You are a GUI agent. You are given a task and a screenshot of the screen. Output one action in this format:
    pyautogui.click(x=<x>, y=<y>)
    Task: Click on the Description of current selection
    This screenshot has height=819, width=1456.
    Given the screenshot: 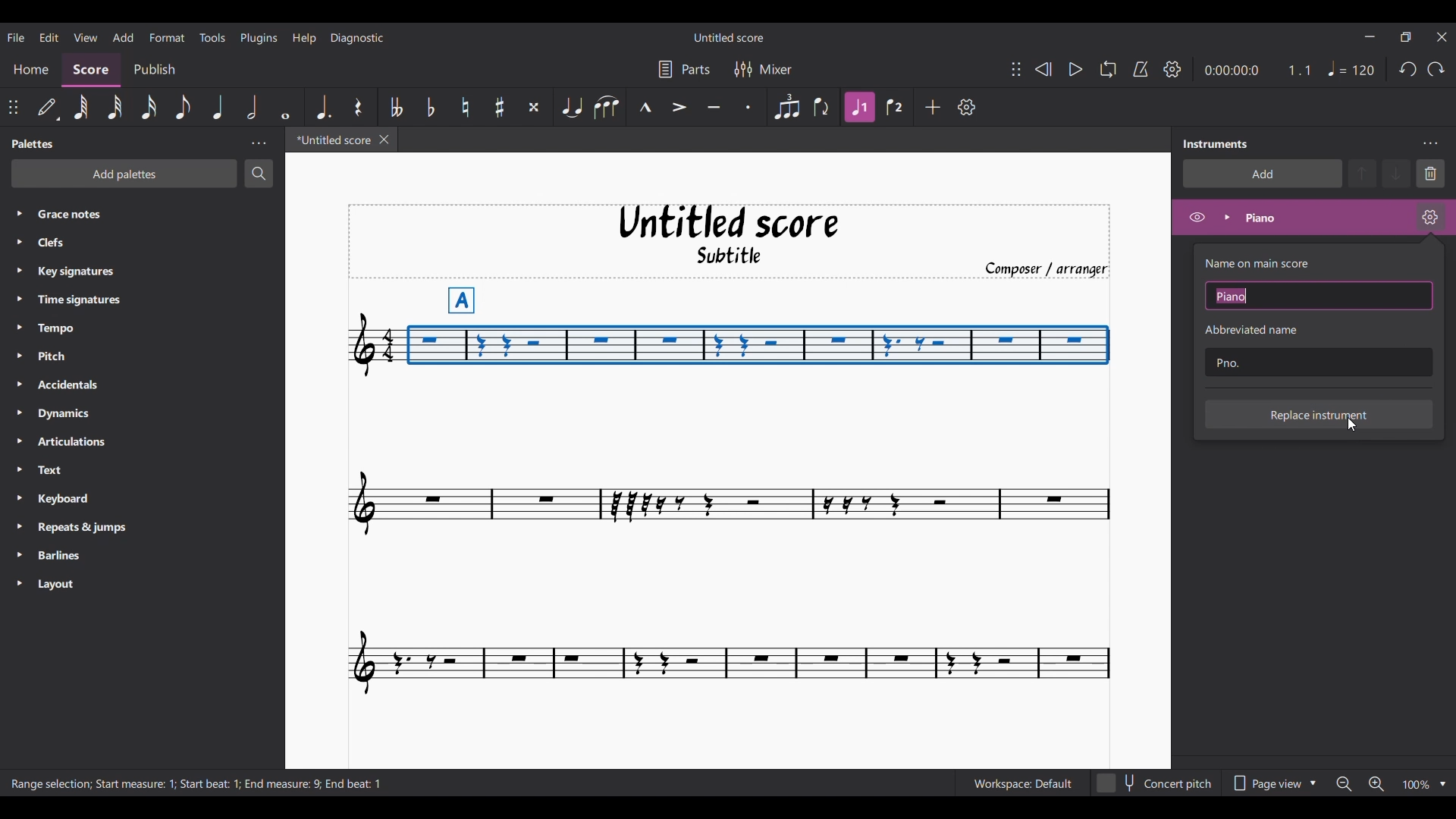 What is the action you would take?
    pyautogui.click(x=199, y=783)
    